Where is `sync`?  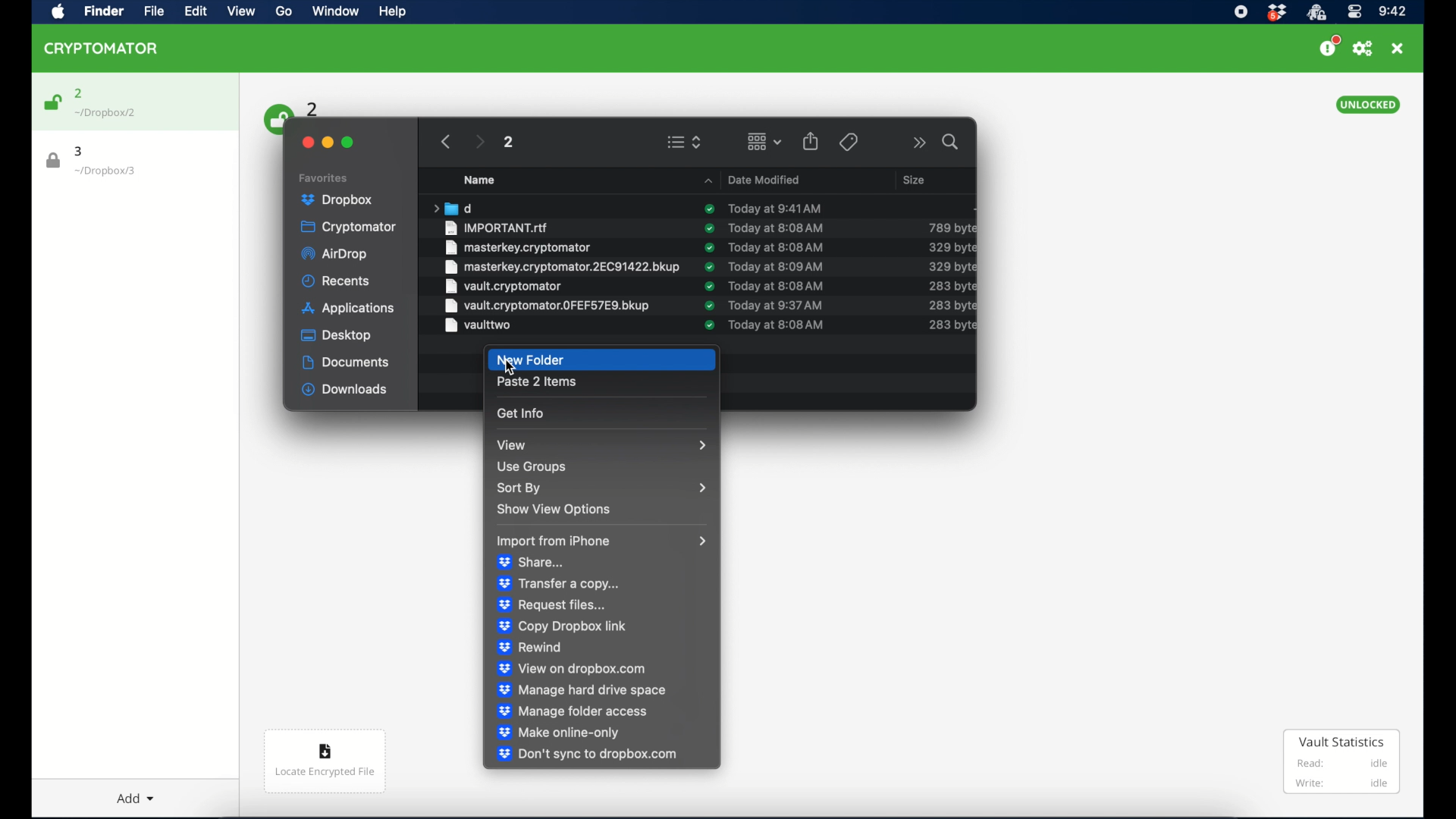
sync is located at coordinates (708, 306).